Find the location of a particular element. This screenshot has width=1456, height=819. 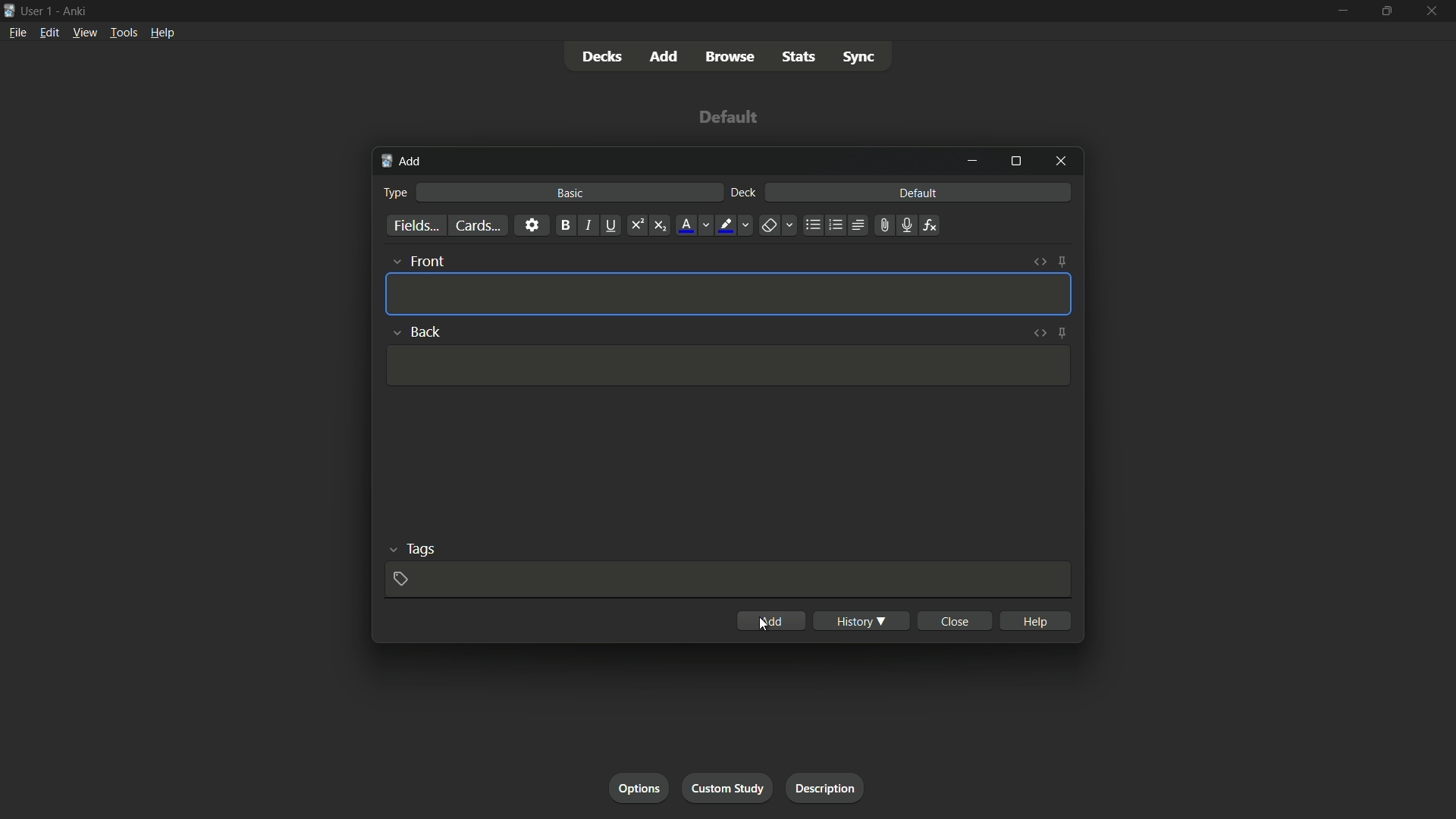

minimize is located at coordinates (972, 161).